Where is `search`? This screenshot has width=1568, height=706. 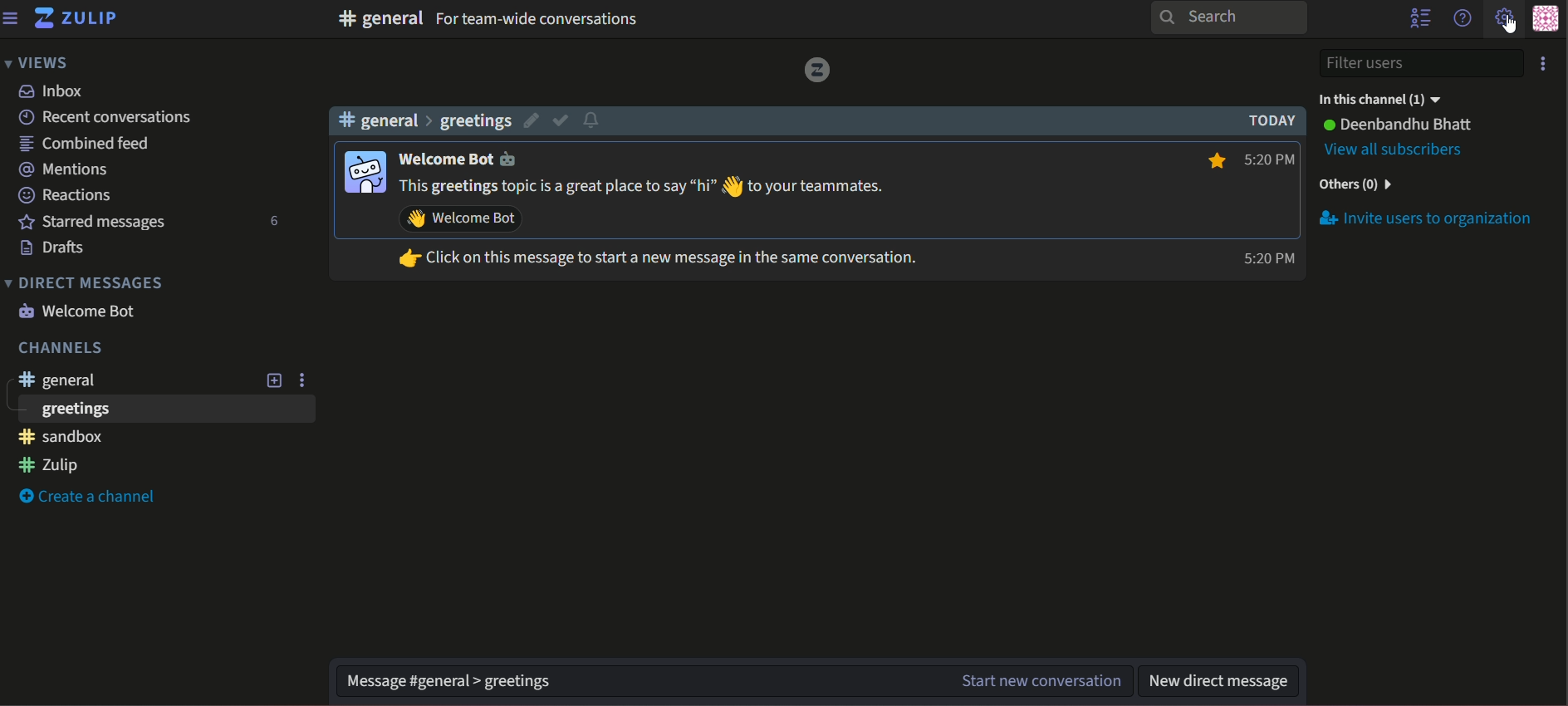
search is located at coordinates (1231, 17).